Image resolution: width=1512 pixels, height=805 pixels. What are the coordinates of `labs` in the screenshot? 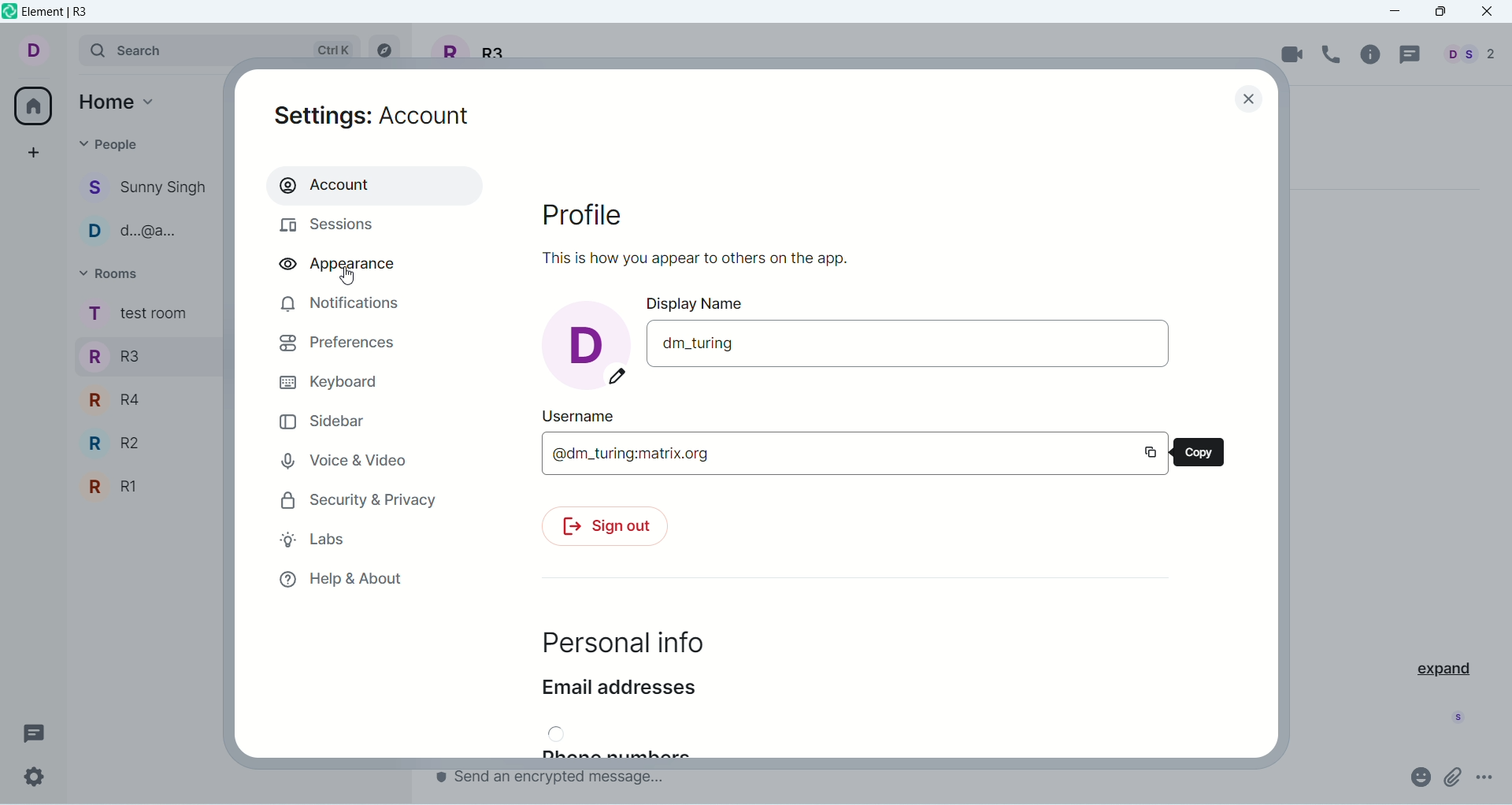 It's located at (321, 542).